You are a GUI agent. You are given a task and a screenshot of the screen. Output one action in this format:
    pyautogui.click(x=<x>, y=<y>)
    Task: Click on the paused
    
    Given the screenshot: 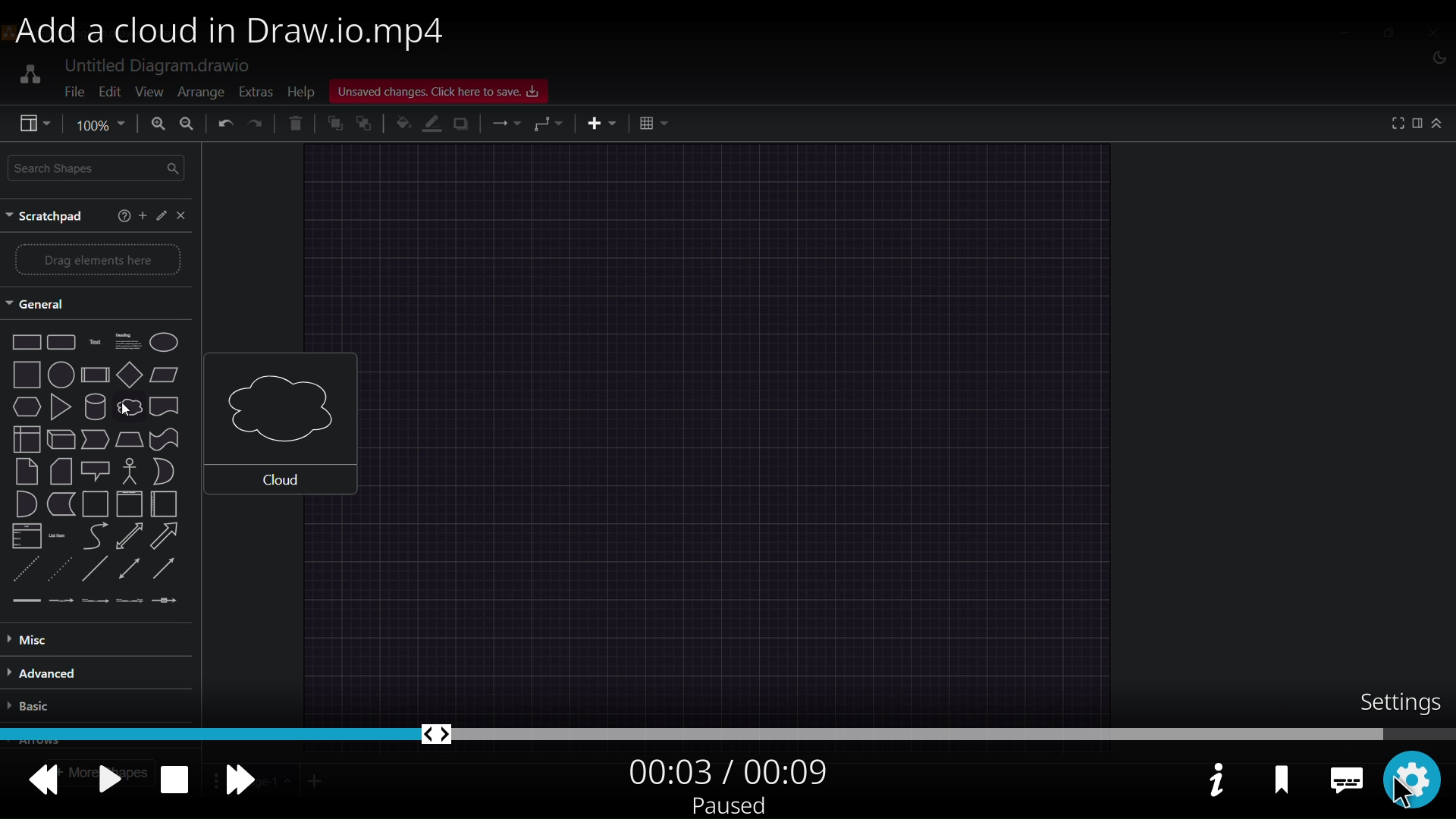 What is the action you would take?
    pyautogui.click(x=728, y=805)
    